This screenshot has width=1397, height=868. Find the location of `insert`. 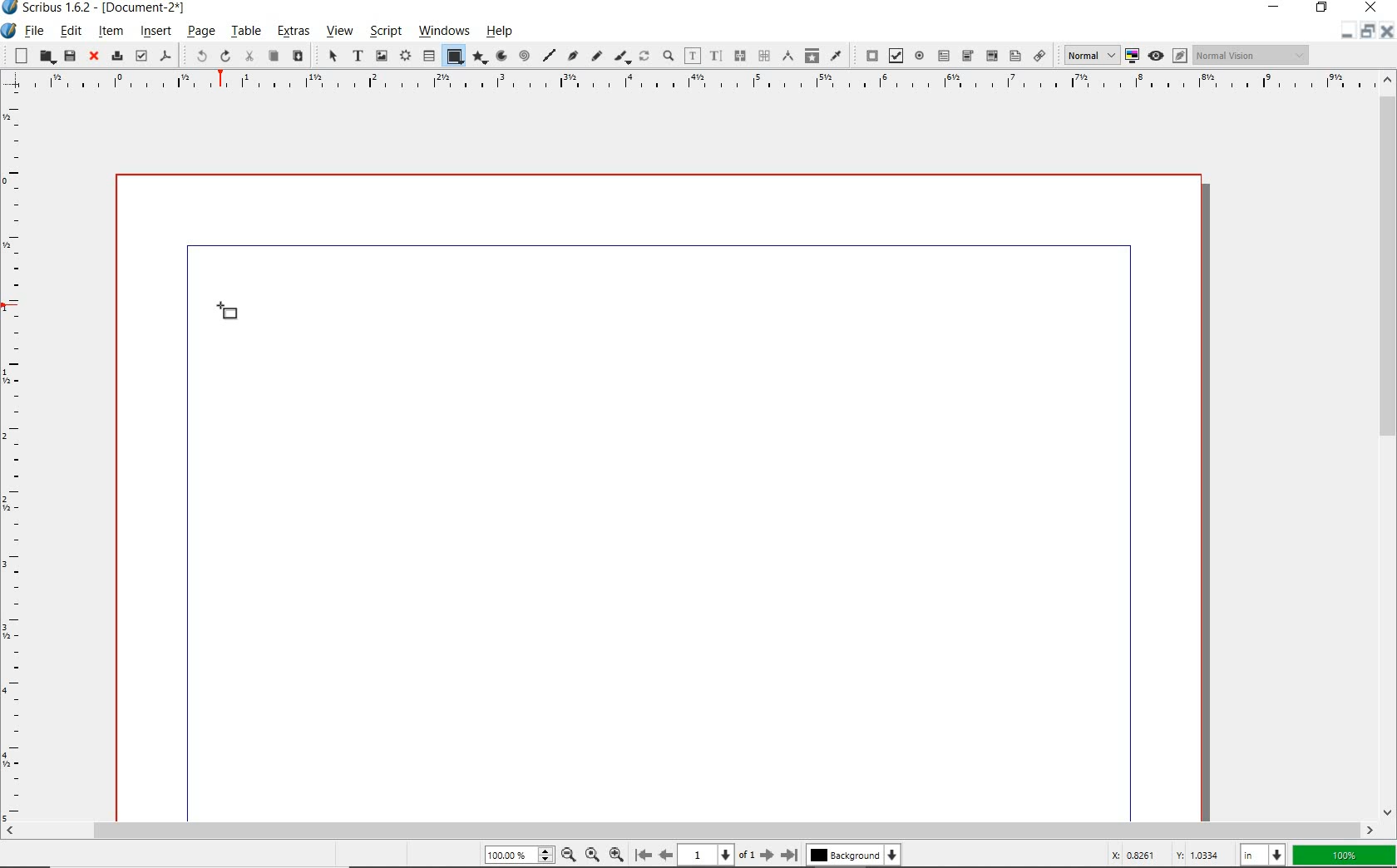

insert is located at coordinates (155, 32).